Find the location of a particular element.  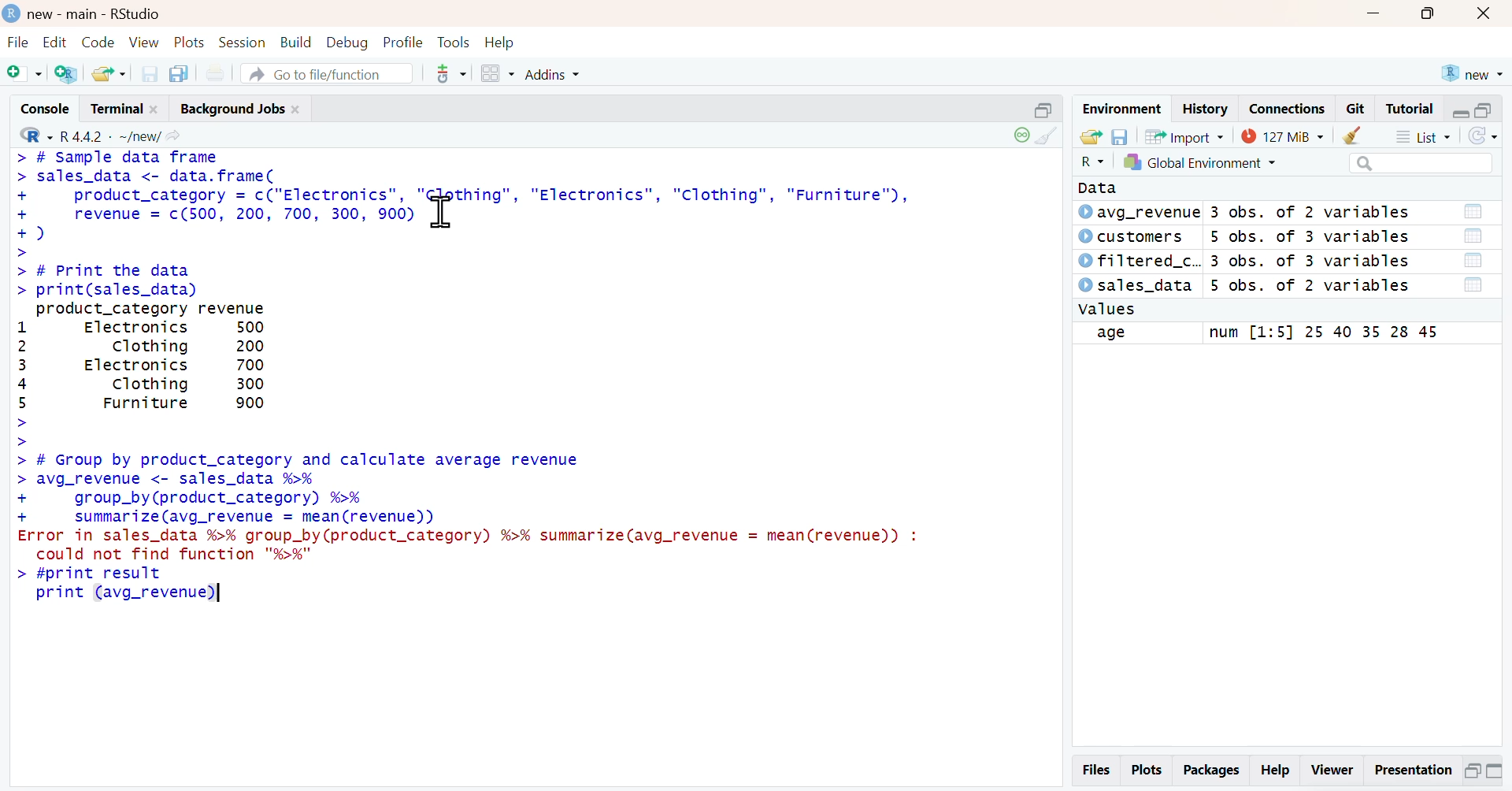

search is located at coordinates (1421, 164).